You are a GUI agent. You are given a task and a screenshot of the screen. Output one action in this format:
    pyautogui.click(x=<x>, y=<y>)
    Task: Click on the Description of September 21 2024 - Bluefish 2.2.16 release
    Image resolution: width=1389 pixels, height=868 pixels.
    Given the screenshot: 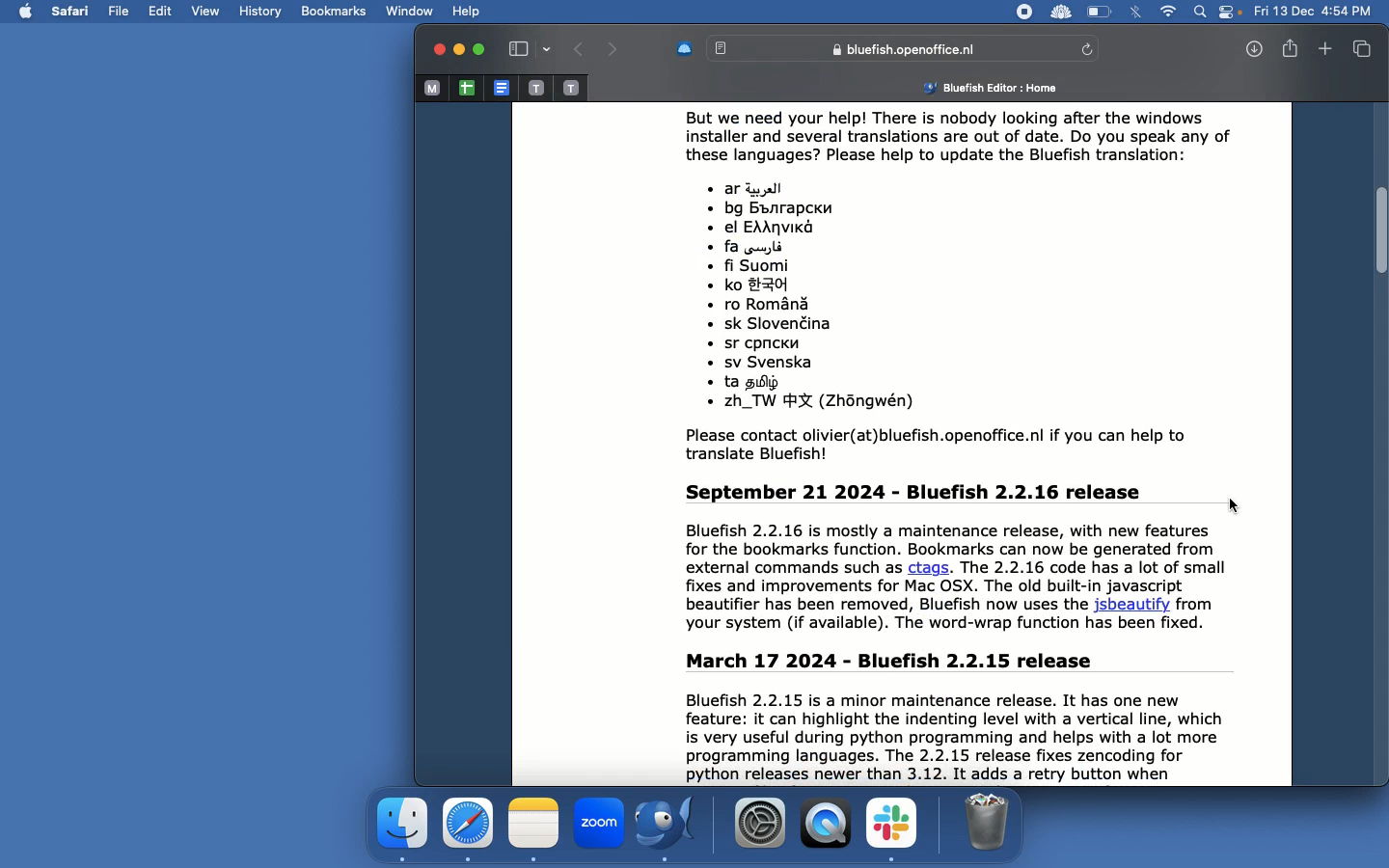 What is the action you would take?
    pyautogui.click(x=978, y=561)
    